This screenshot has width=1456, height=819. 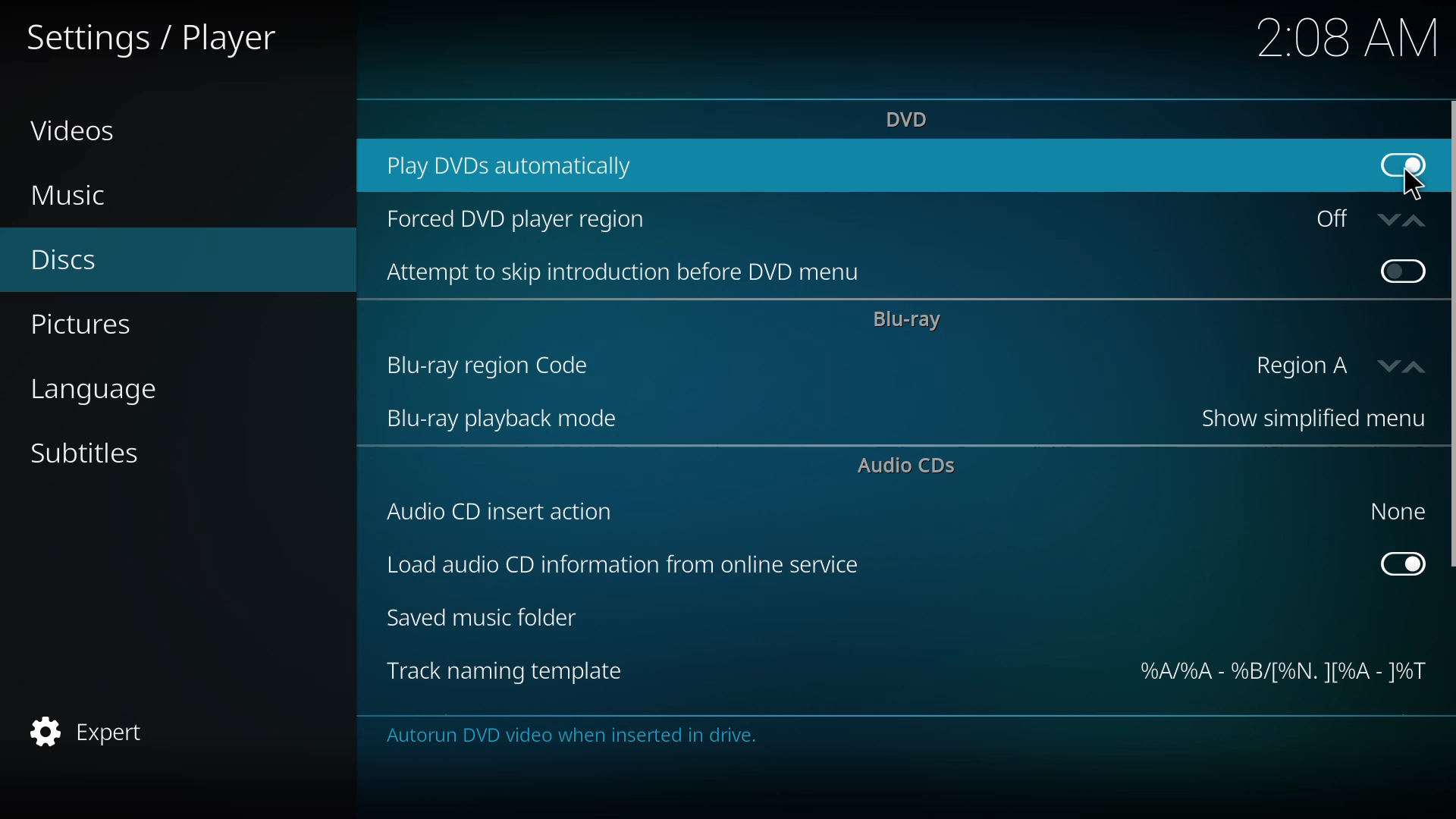 I want to click on audio cd insert action, so click(x=503, y=511).